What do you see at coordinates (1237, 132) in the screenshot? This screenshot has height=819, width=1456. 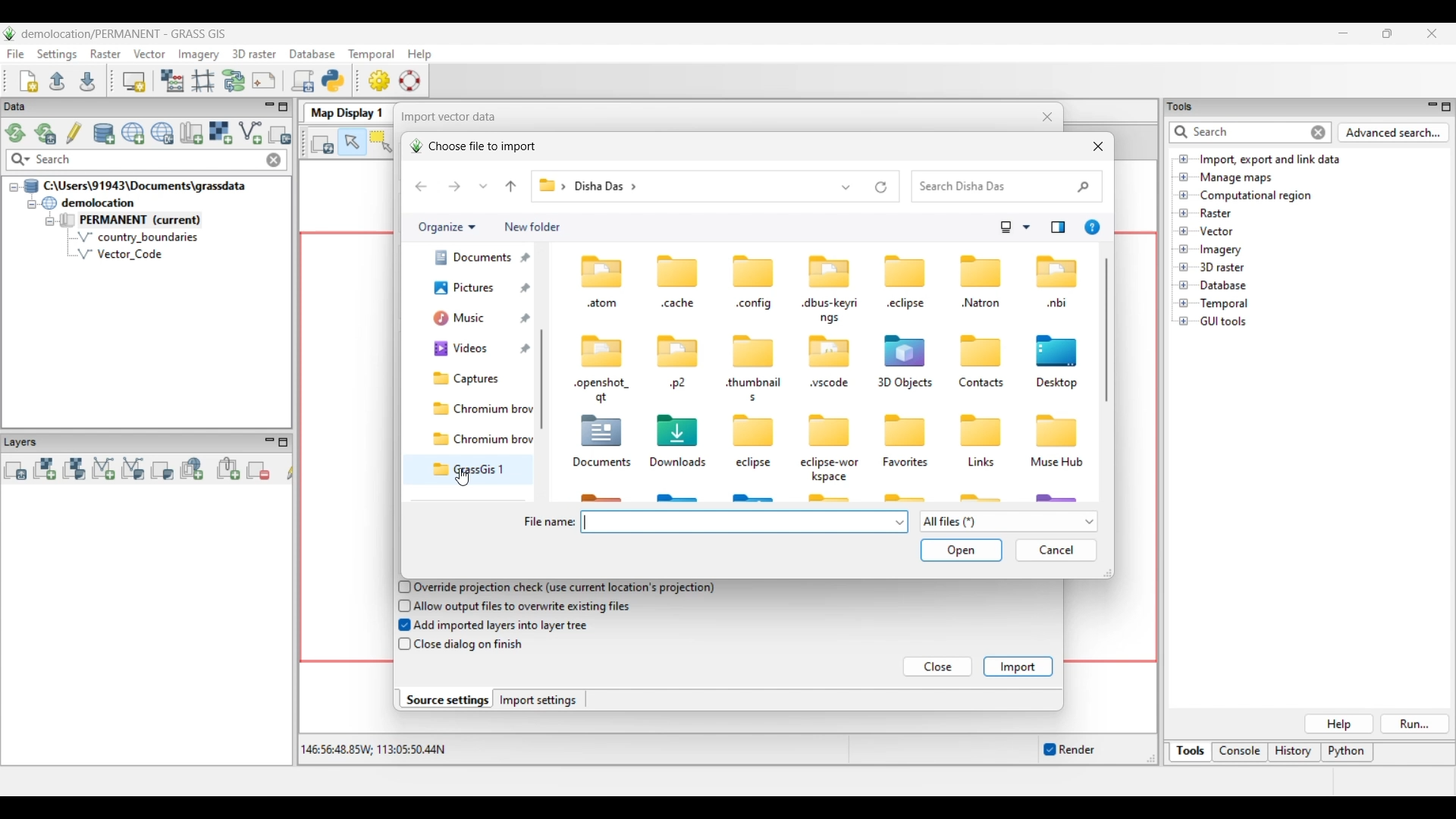 I see `Type in or enter details for quick search` at bounding box center [1237, 132].